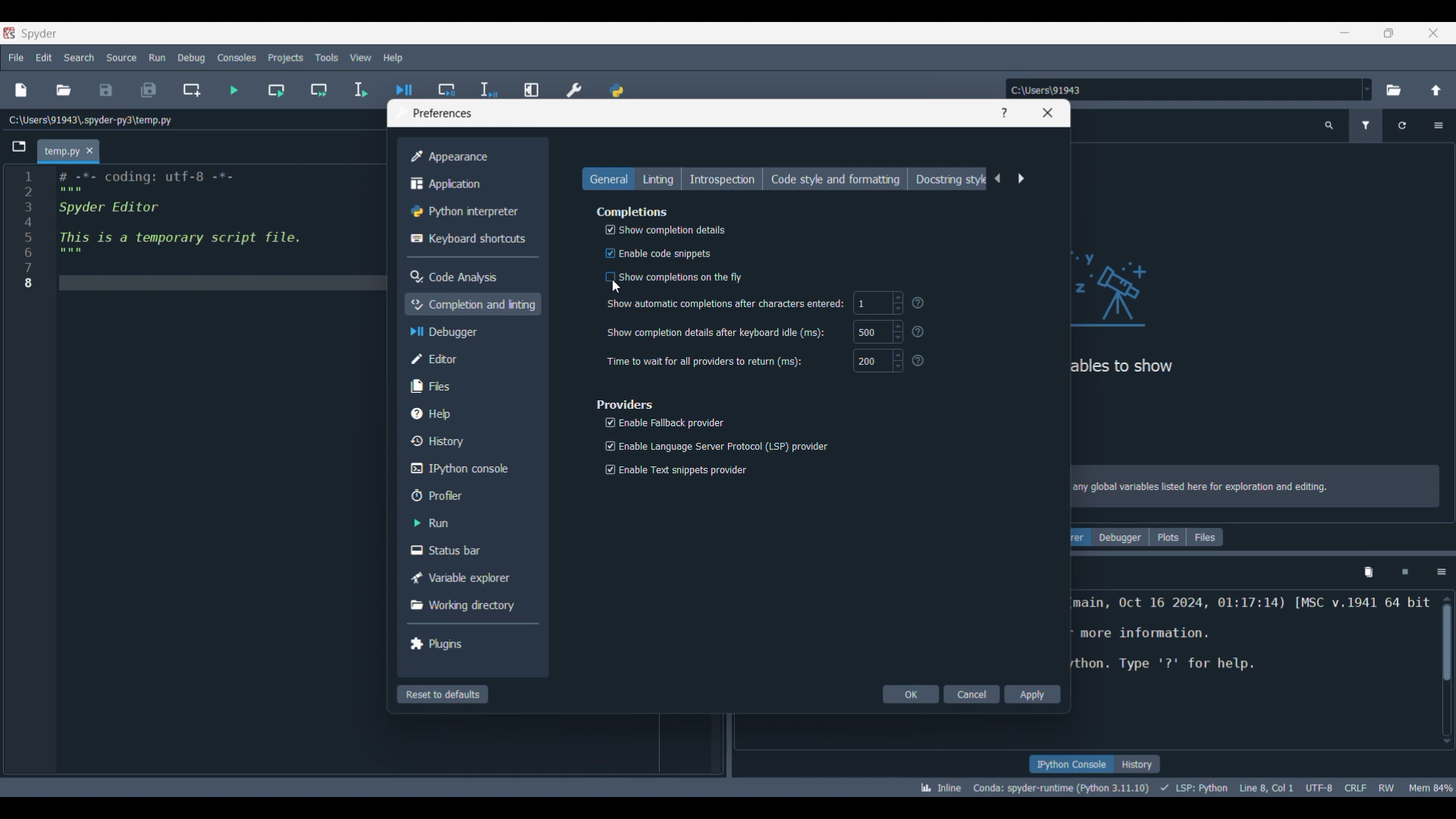  What do you see at coordinates (1405, 573) in the screenshot?
I see `Interrupt kernel` at bounding box center [1405, 573].